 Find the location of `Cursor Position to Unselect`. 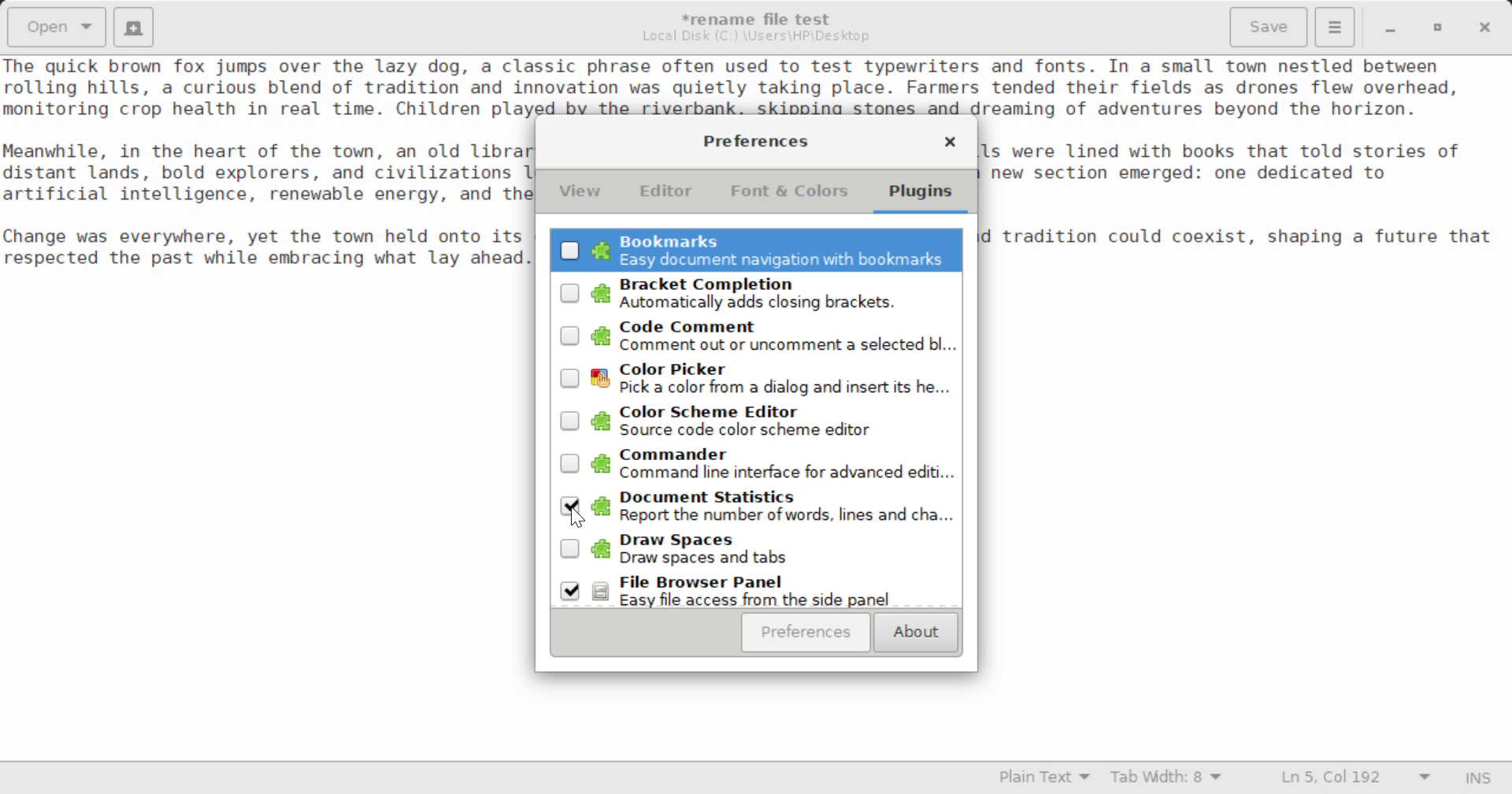

Cursor Position to Unselect is located at coordinates (571, 507).